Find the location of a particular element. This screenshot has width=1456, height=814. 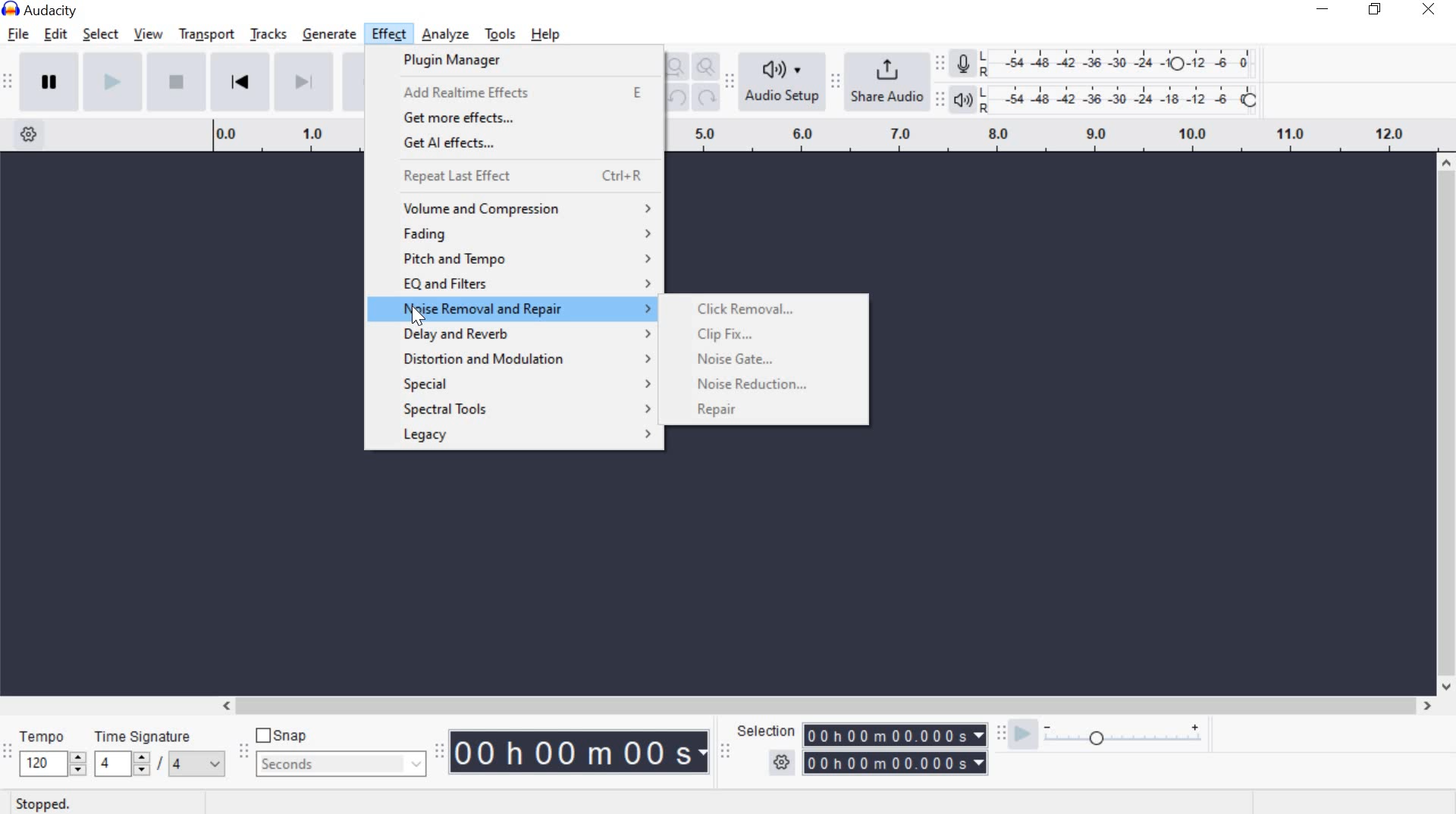

selection is located at coordinates (766, 729).